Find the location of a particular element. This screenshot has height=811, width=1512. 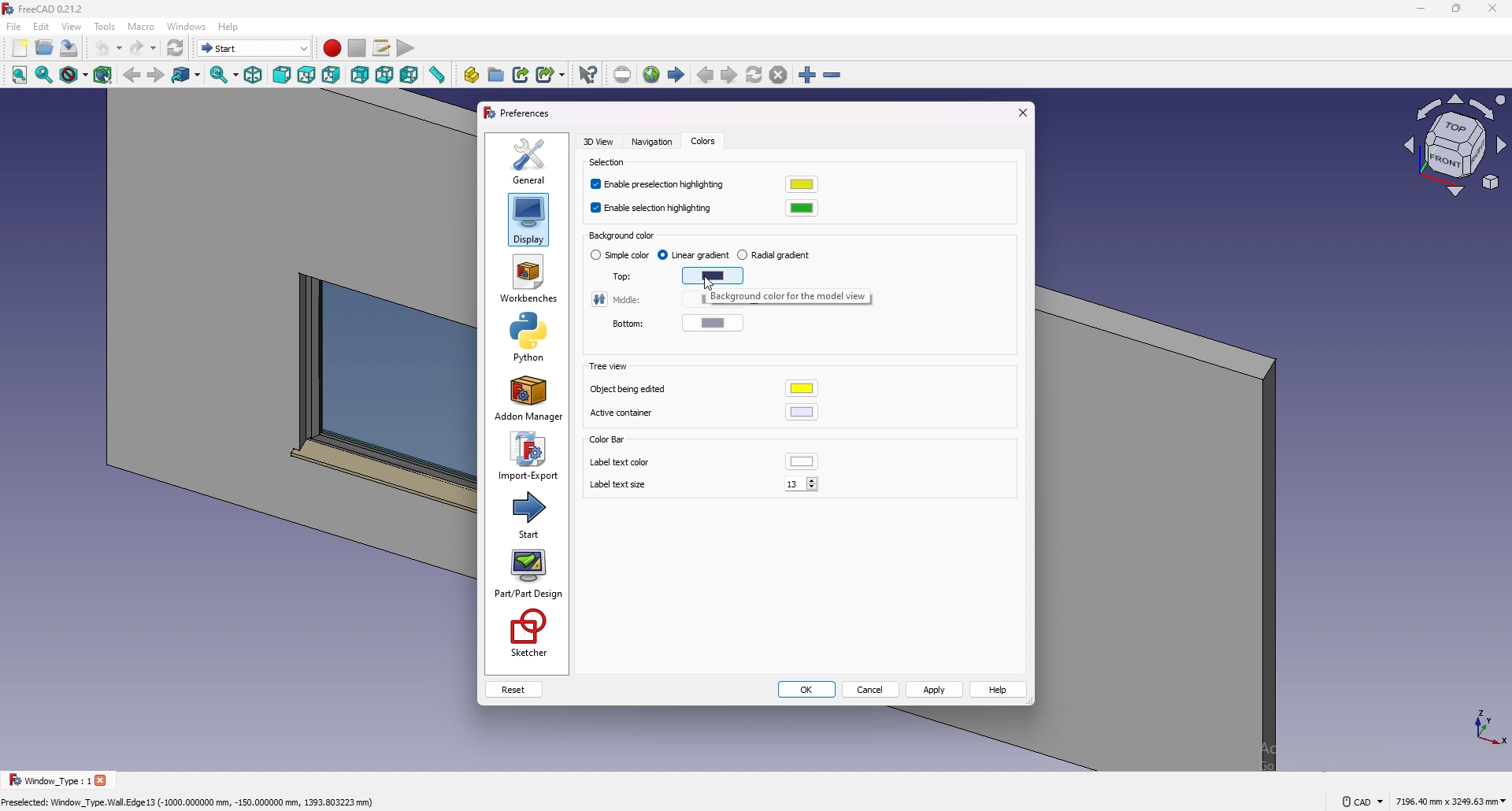

front is located at coordinates (283, 76).